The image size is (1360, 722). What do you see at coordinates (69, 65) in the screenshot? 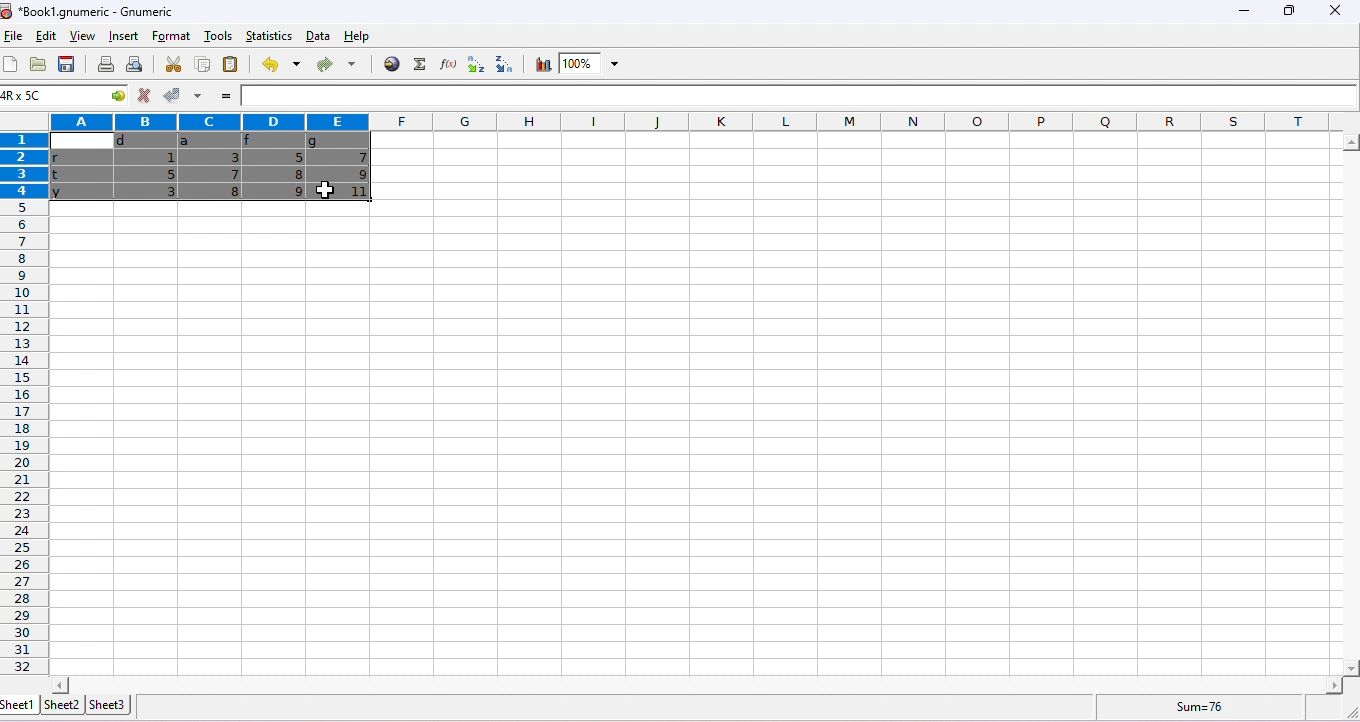
I see `save` at bounding box center [69, 65].